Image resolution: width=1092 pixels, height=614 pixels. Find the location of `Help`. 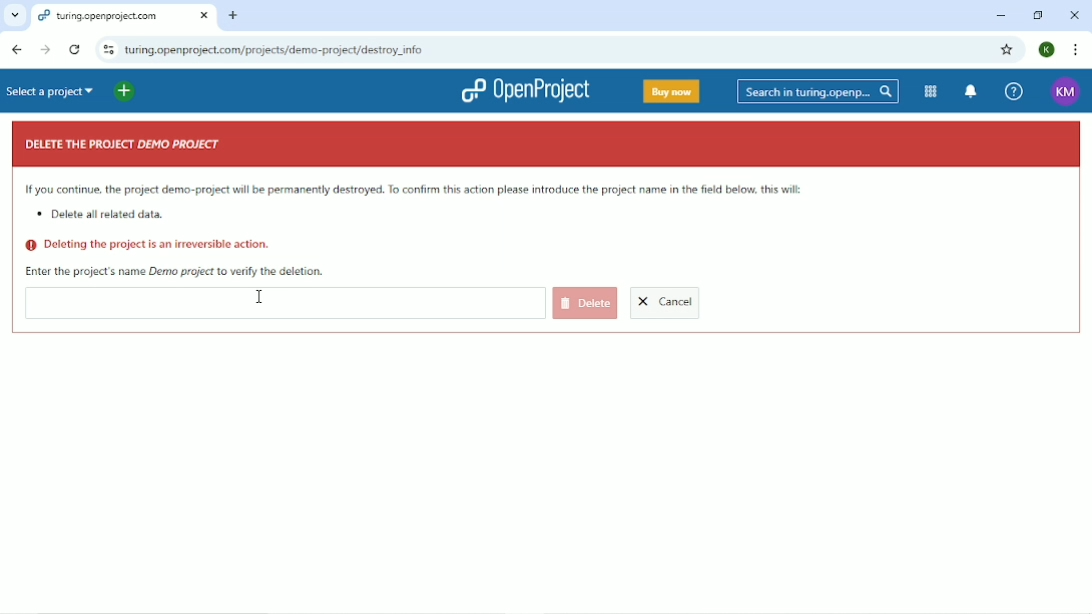

Help is located at coordinates (1013, 92).